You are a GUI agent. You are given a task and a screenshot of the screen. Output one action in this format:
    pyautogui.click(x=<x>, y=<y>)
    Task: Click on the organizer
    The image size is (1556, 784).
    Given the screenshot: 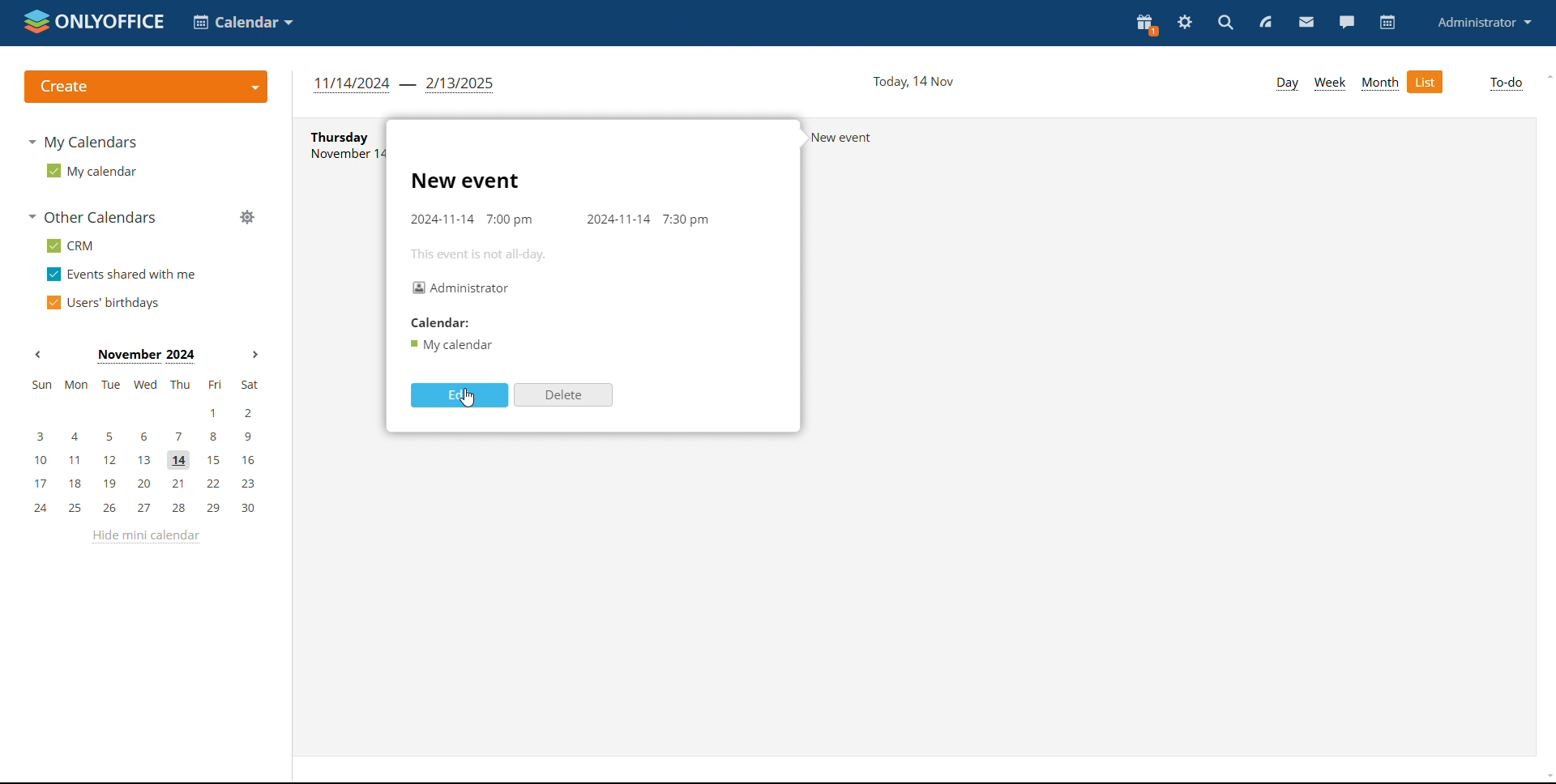 What is the action you would take?
    pyautogui.click(x=460, y=288)
    